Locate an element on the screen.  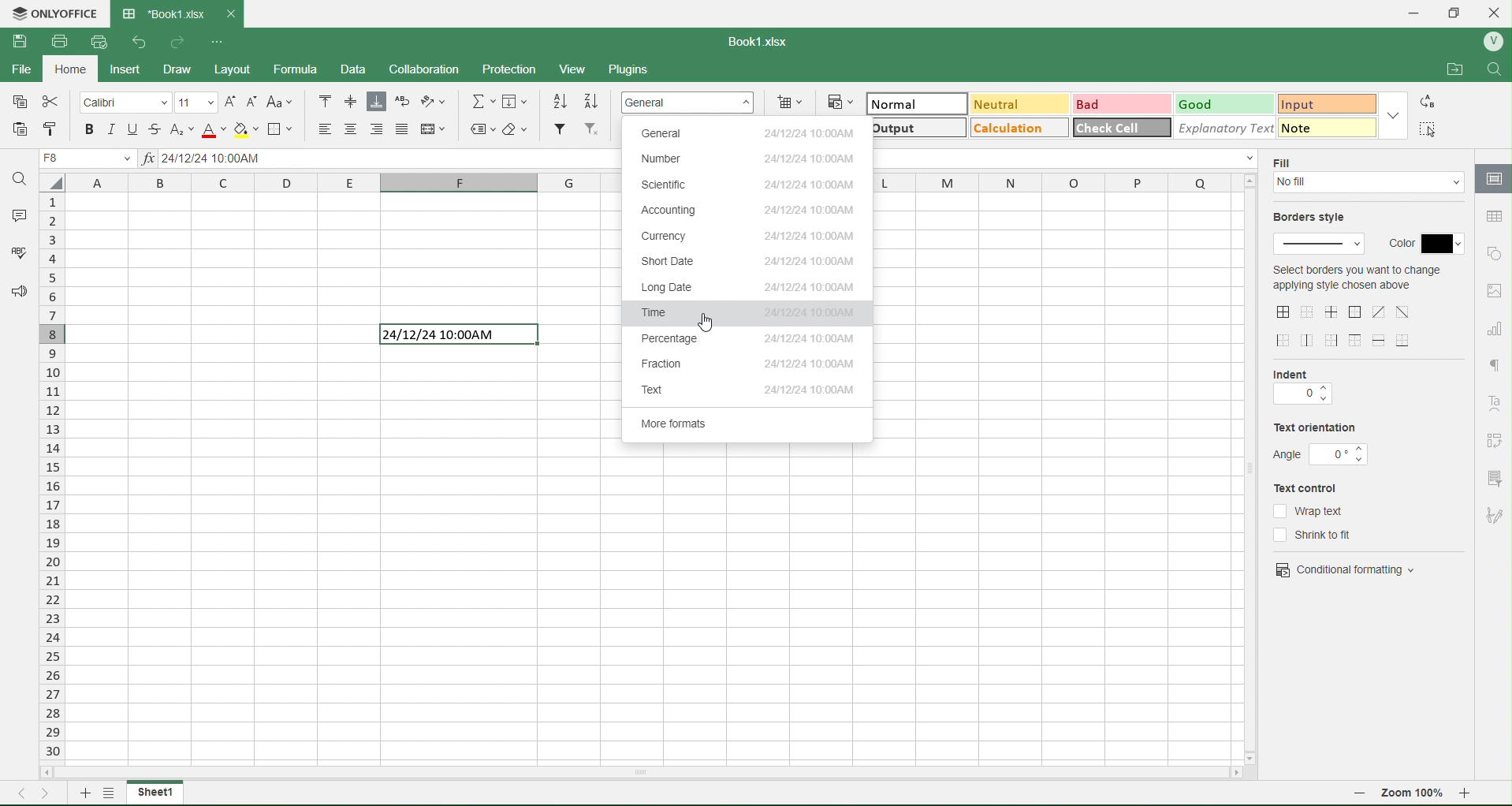
Middle Size is located at coordinates (349, 101).